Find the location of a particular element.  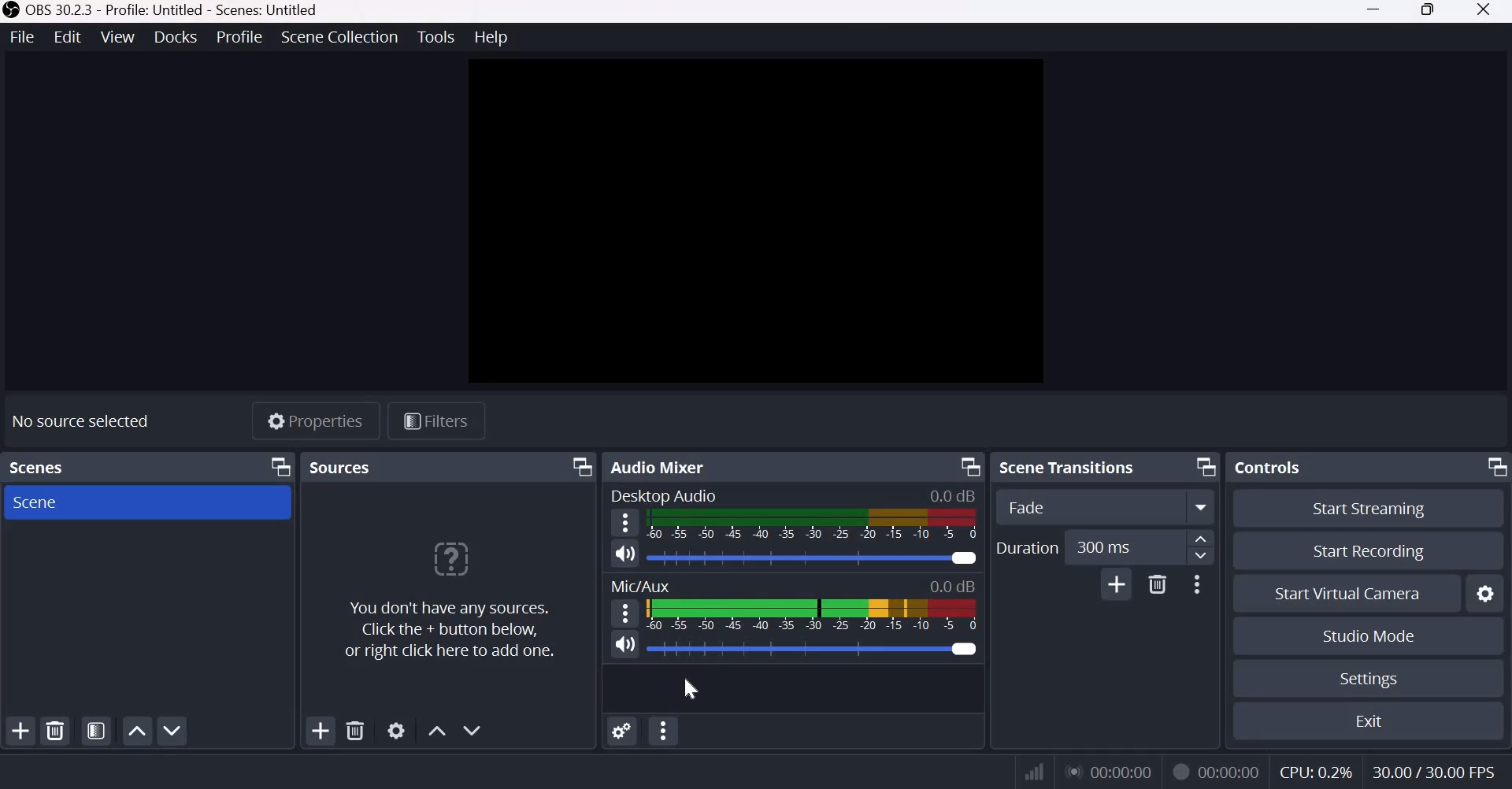

Add source(s) is located at coordinates (322, 731).